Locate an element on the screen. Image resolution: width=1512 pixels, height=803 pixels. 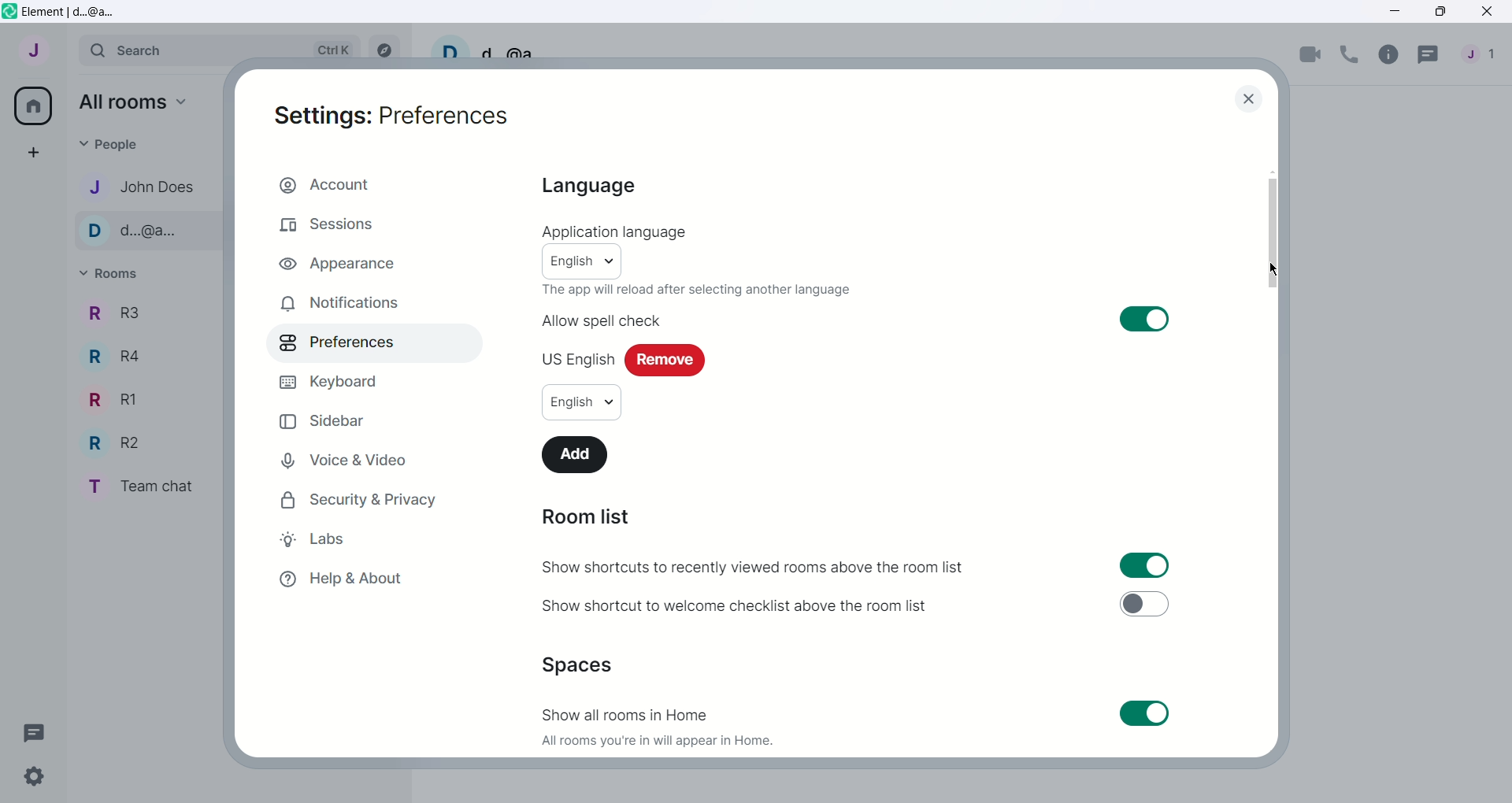
Show all rooms in Home is located at coordinates (627, 716).